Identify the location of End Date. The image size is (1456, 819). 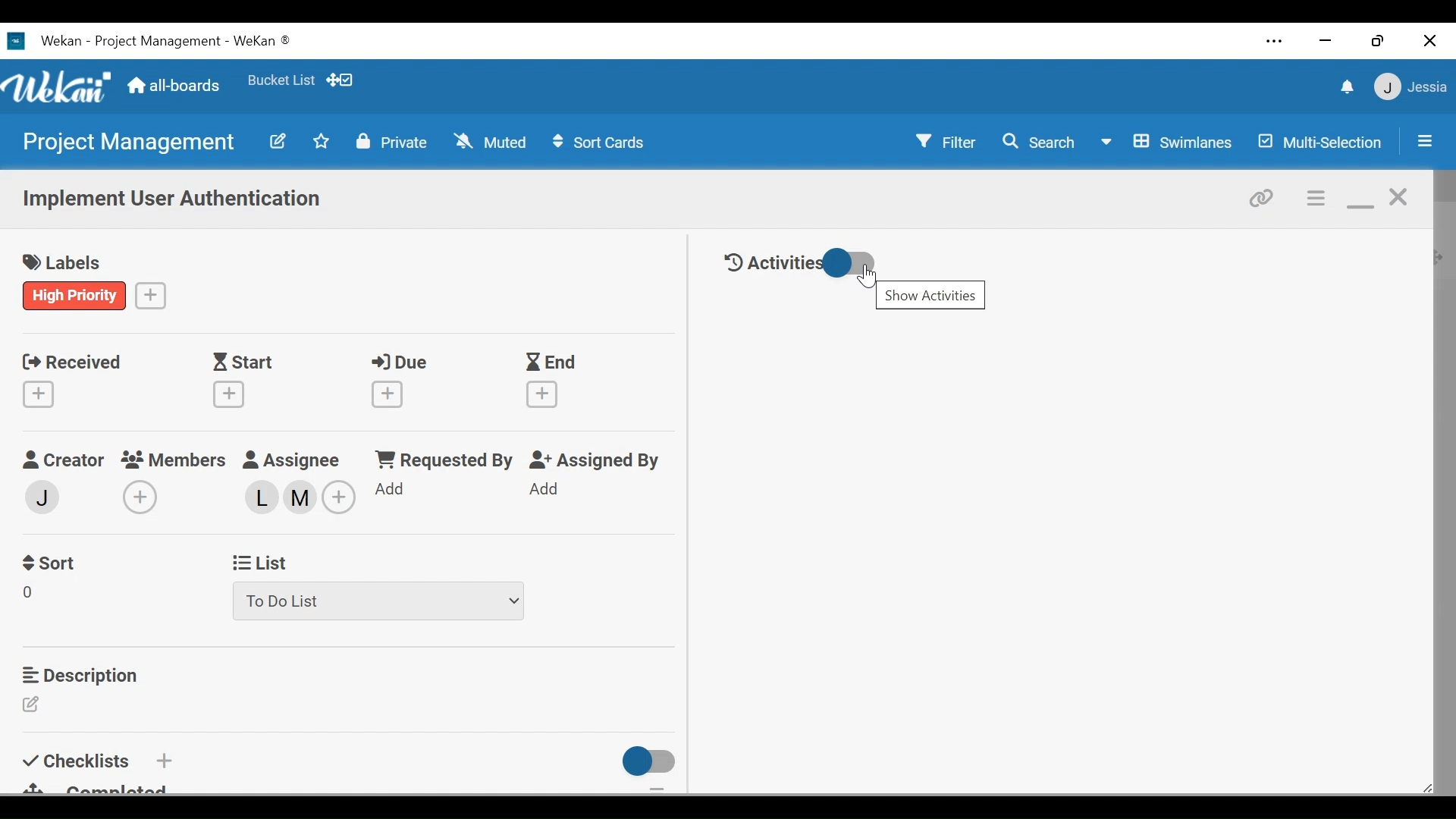
(557, 362).